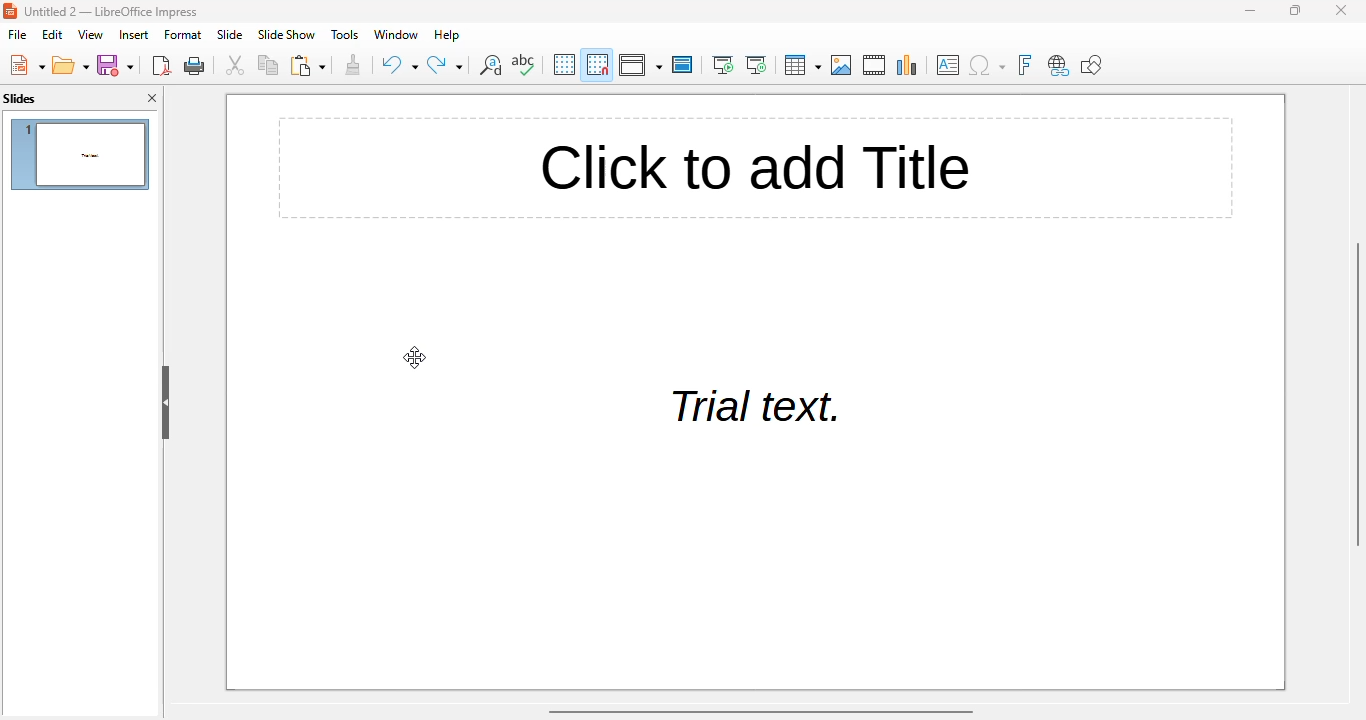 The width and height of the screenshot is (1366, 720). What do you see at coordinates (948, 64) in the screenshot?
I see `insert text box` at bounding box center [948, 64].